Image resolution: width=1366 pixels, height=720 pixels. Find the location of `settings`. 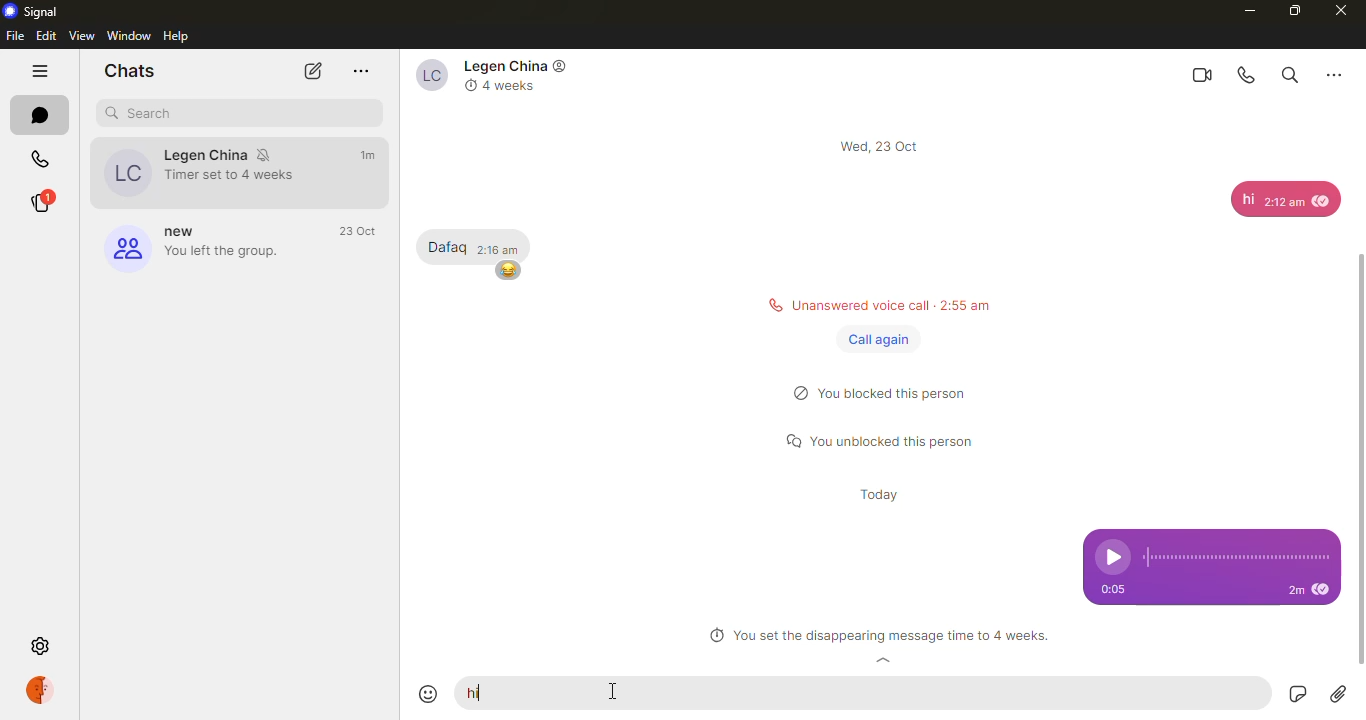

settings is located at coordinates (43, 647).